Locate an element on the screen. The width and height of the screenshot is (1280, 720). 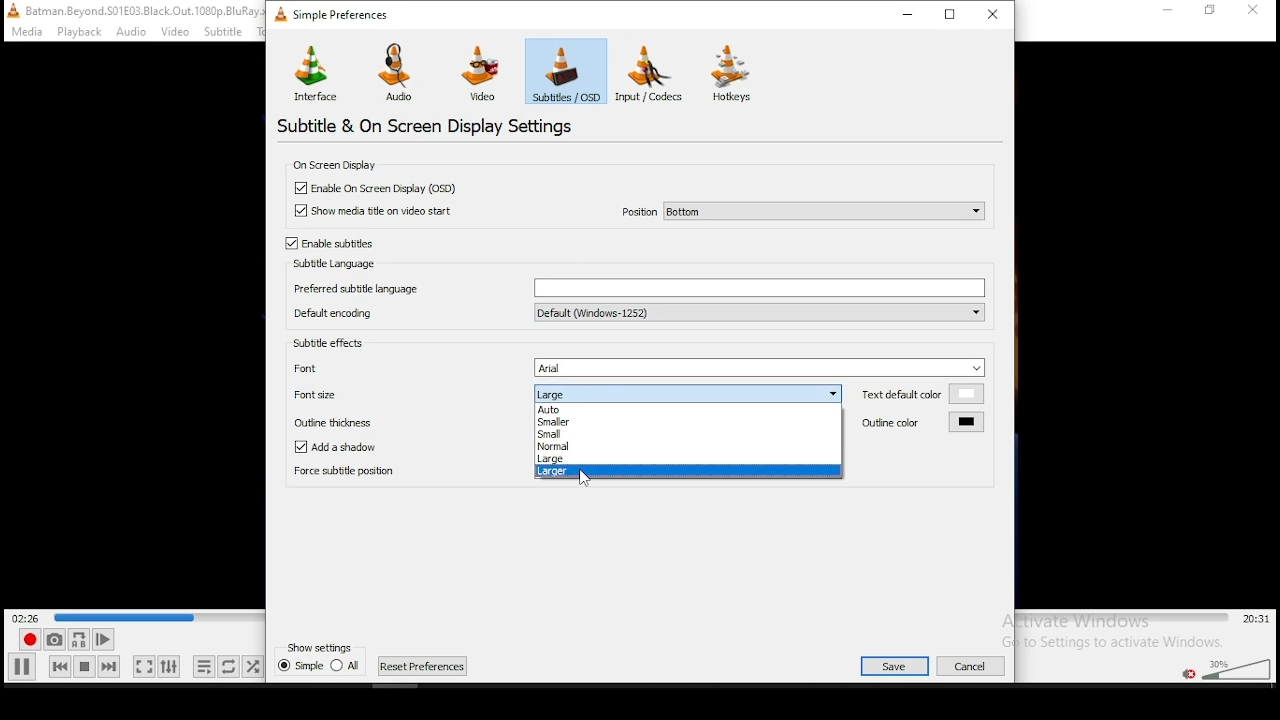
seek bar is located at coordinates (1123, 618).